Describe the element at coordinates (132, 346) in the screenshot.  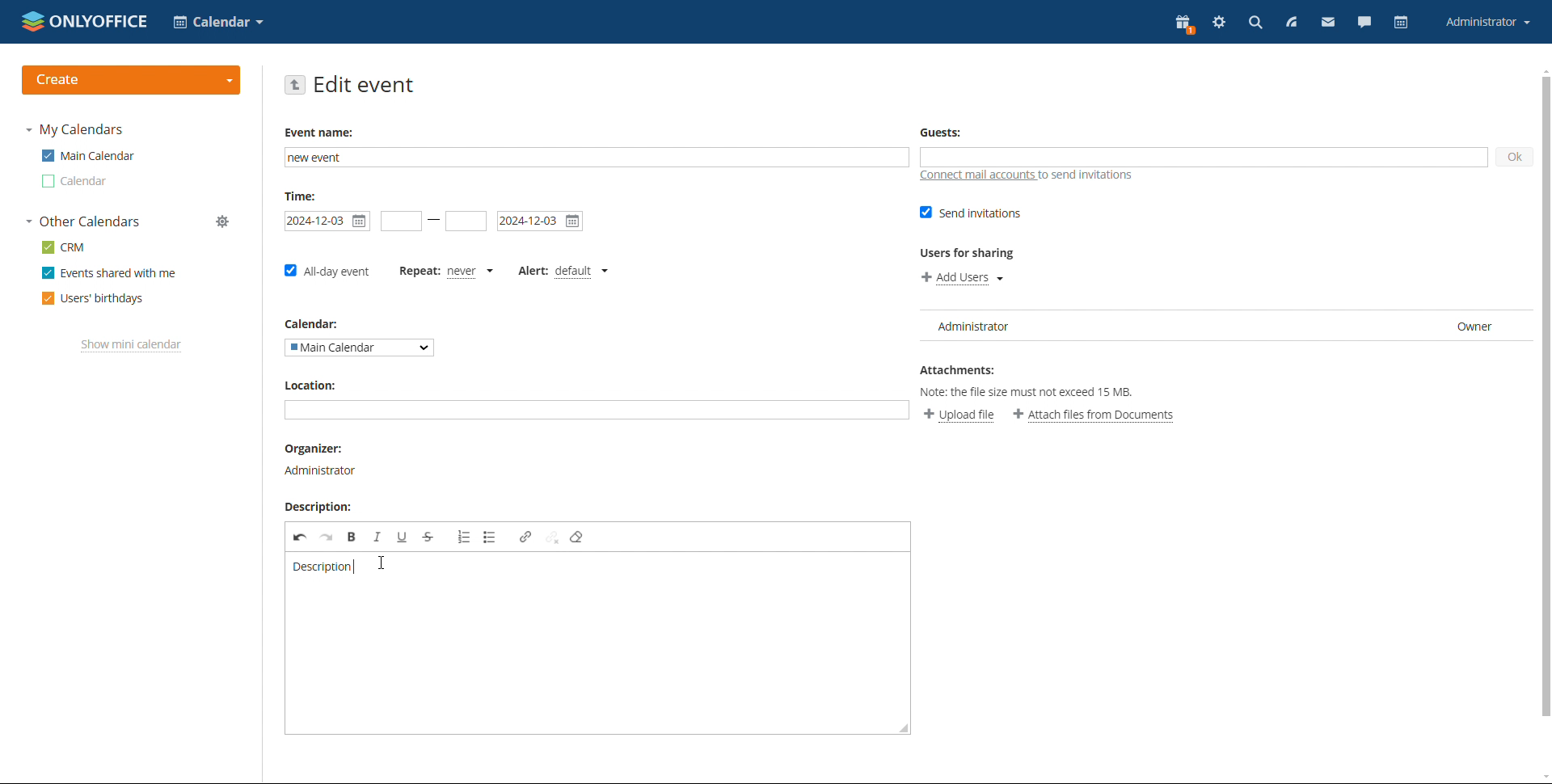
I see `show mini calendar` at that location.